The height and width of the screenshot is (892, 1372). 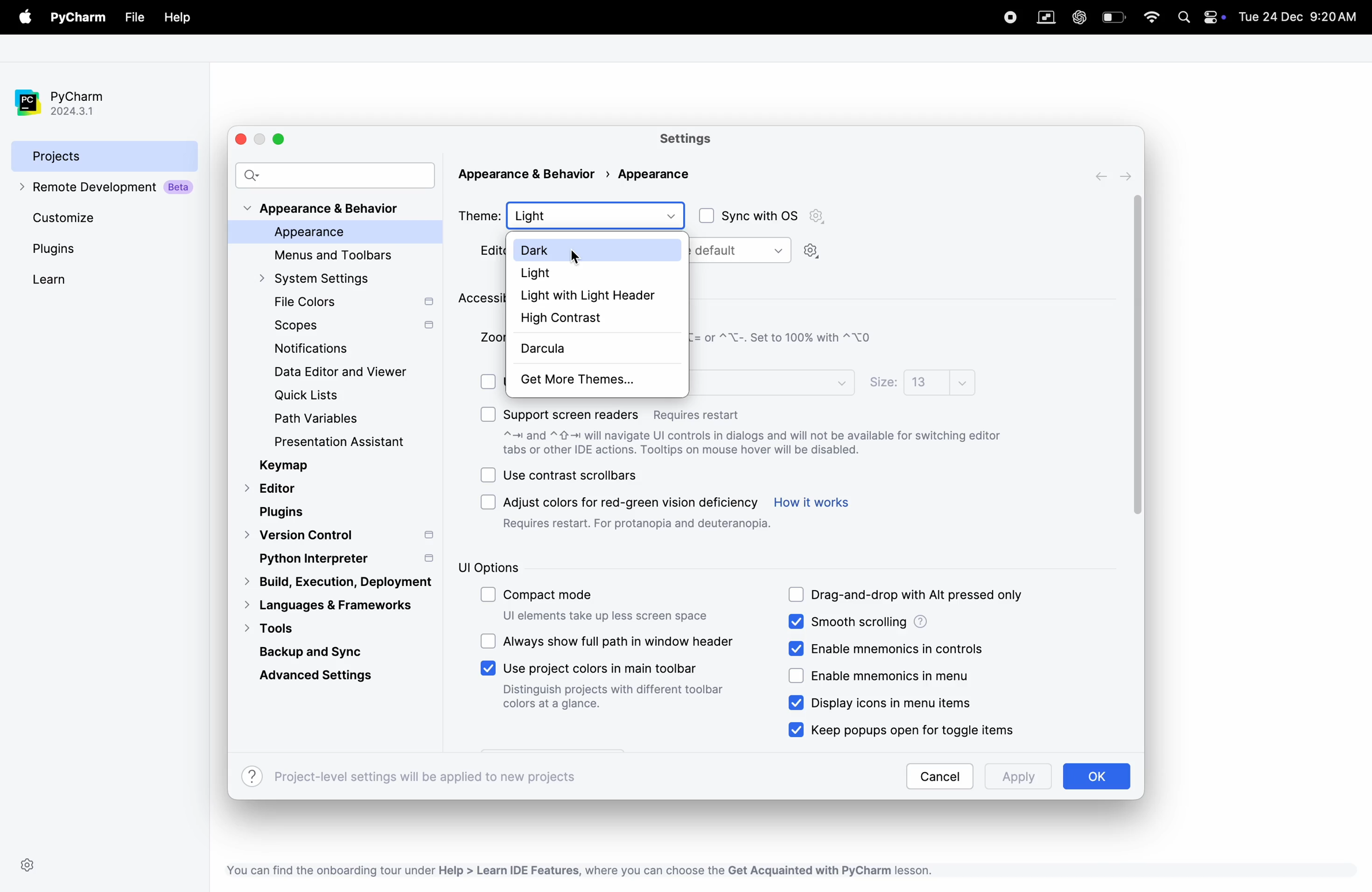 What do you see at coordinates (77, 249) in the screenshot?
I see `plugins` at bounding box center [77, 249].